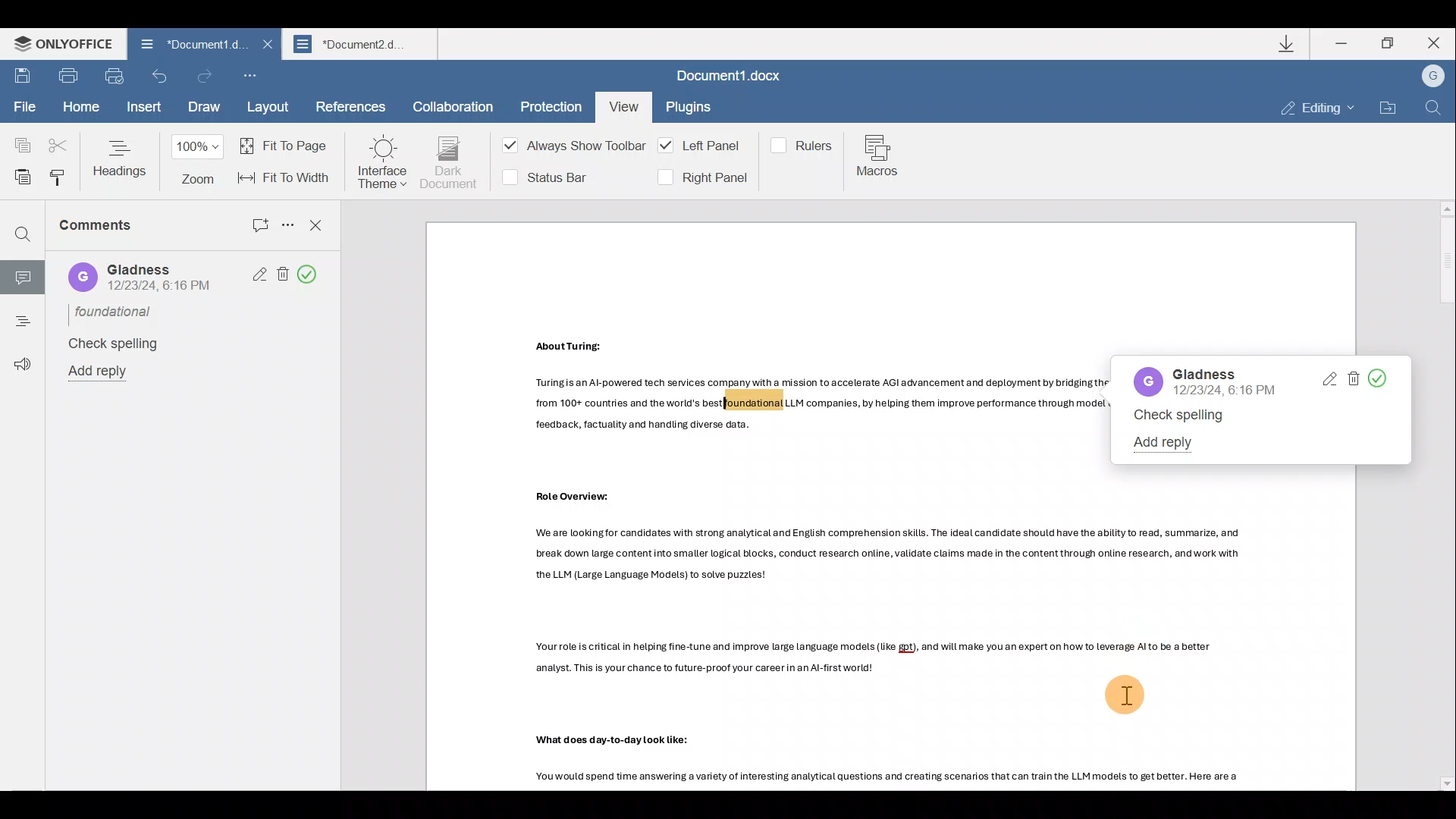 This screenshot has height=819, width=1456. What do you see at coordinates (24, 108) in the screenshot?
I see `File` at bounding box center [24, 108].